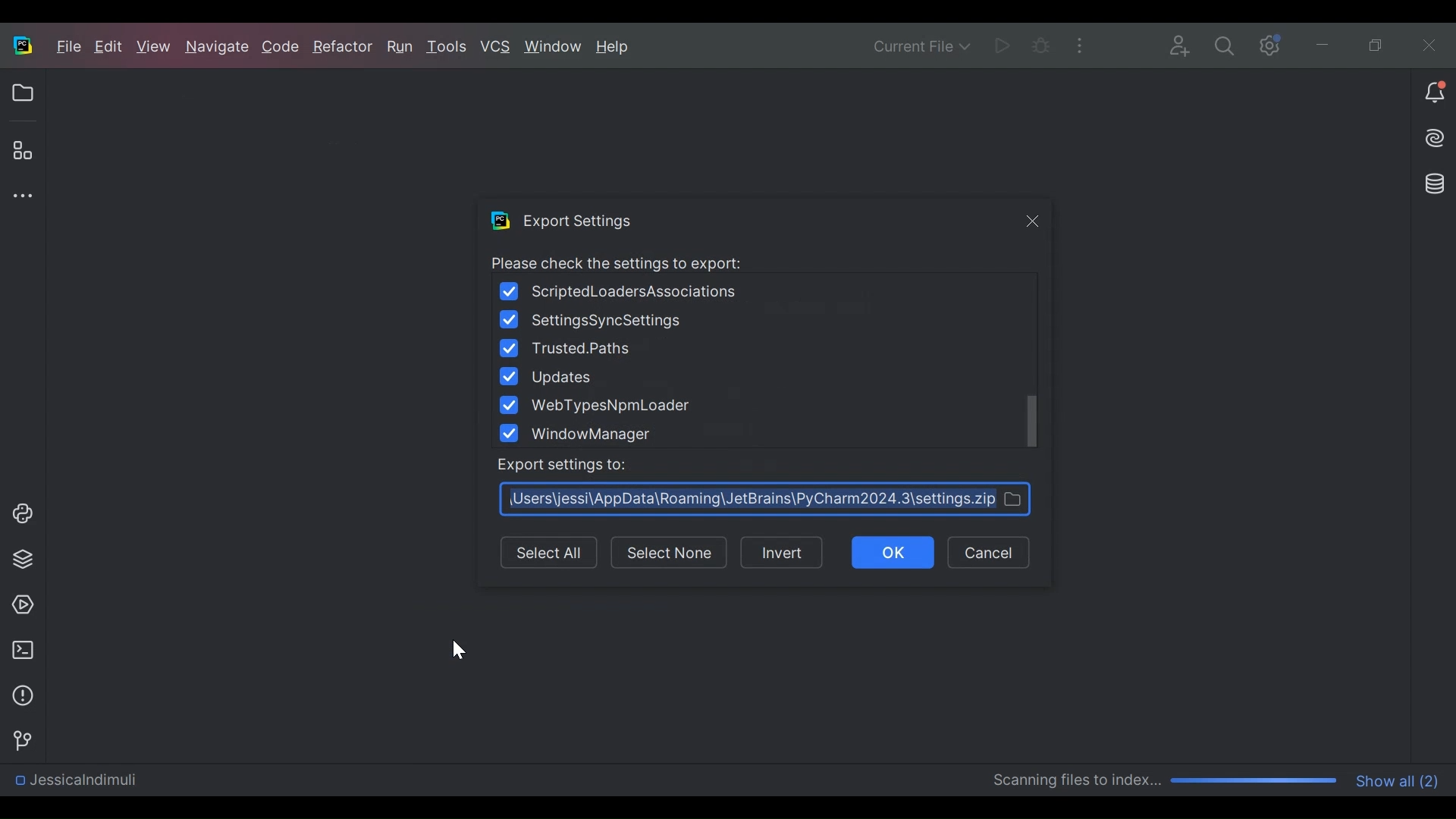 The width and height of the screenshot is (1456, 819). I want to click on (un)check WindowManager, so click(585, 435).